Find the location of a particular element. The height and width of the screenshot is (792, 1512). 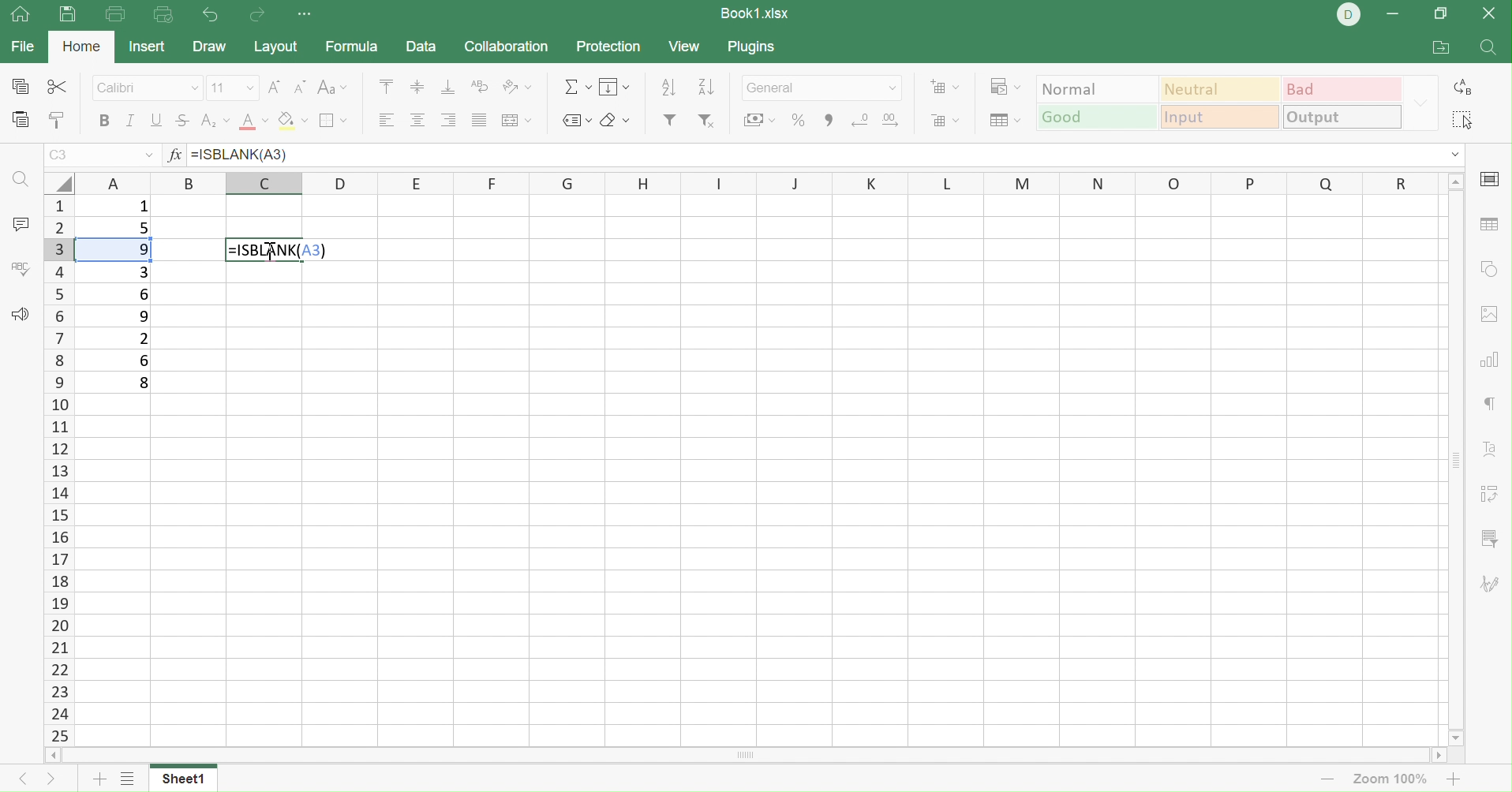

1 is located at coordinates (144, 209).